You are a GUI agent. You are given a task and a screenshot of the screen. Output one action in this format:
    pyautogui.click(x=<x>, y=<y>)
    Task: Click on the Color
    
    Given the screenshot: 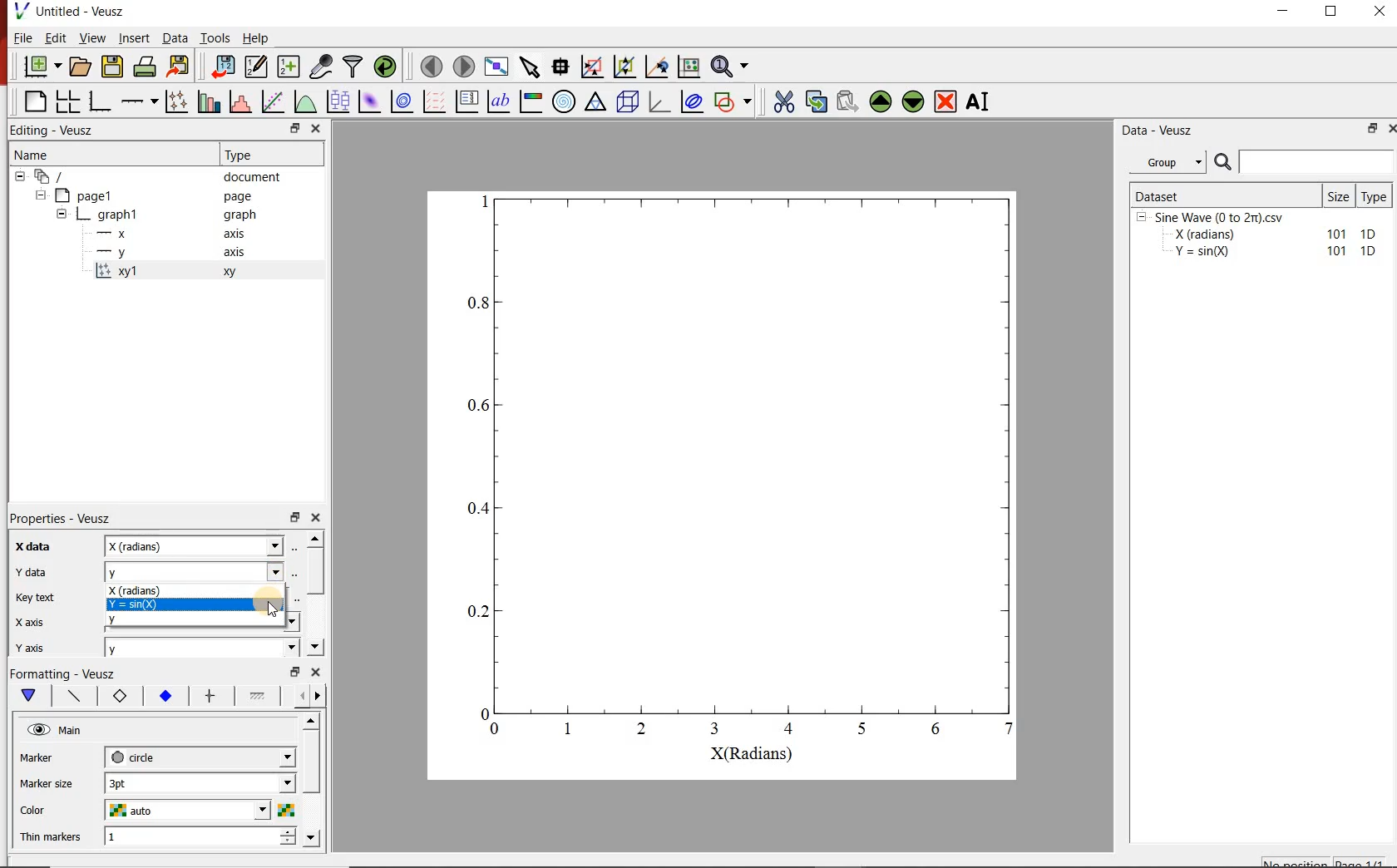 What is the action you would take?
    pyautogui.click(x=38, y=808)
    